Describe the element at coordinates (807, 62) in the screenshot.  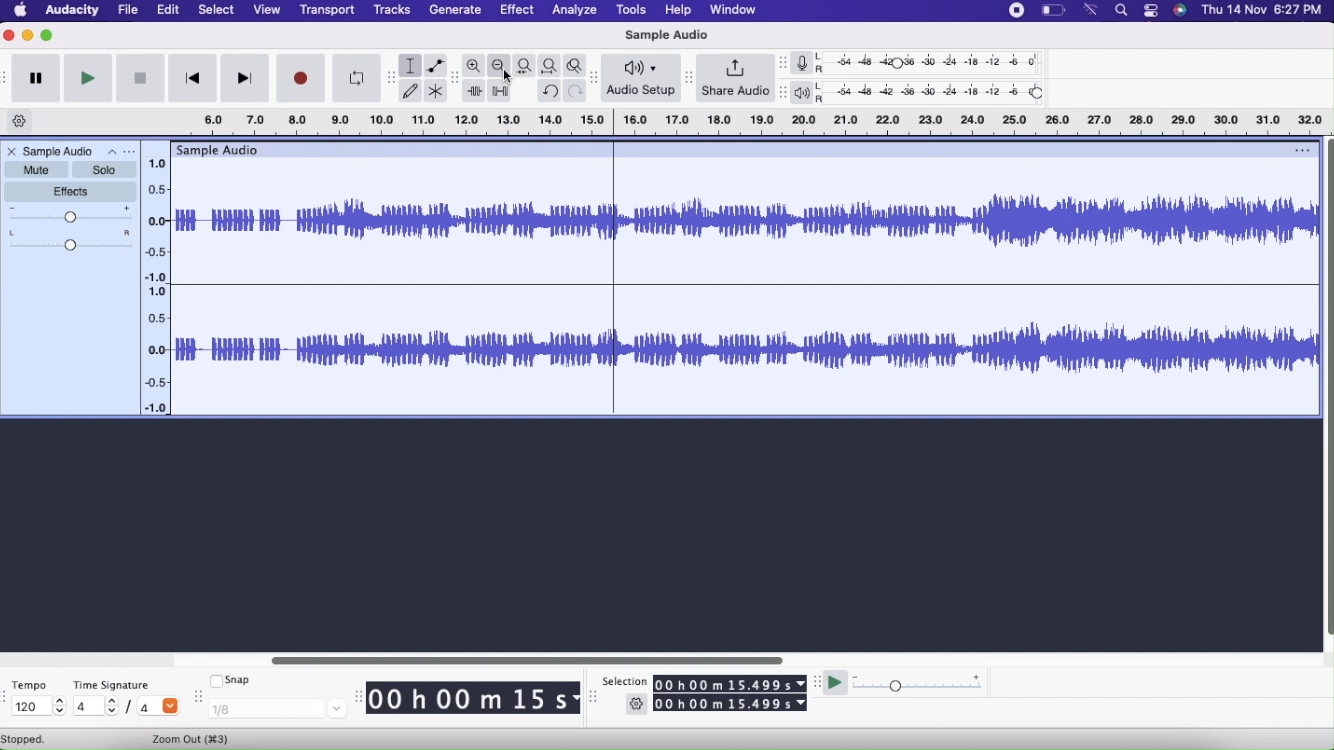
I see `Record meter` at that location.